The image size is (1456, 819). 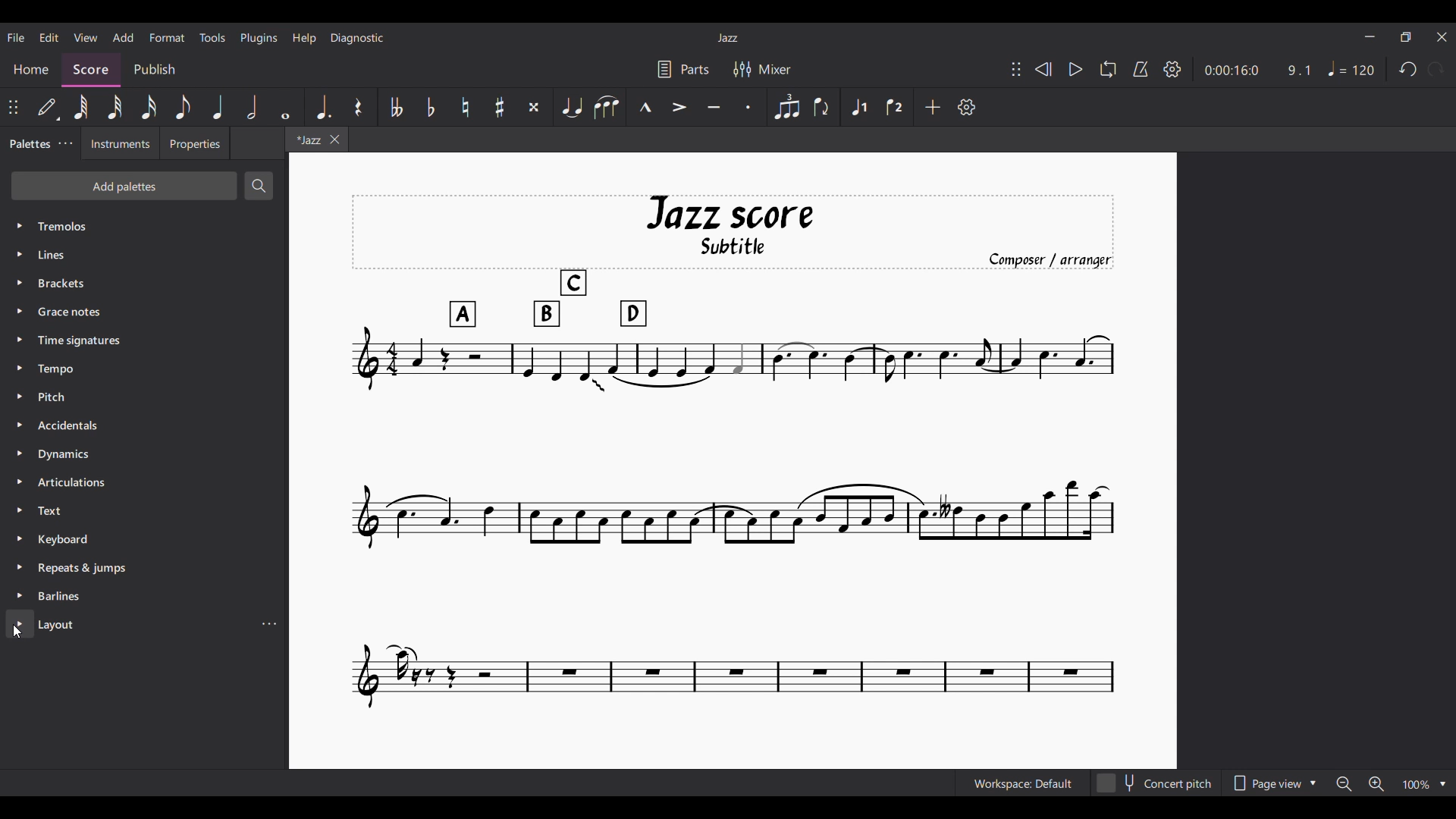 What do you see at coordinates (357, 38) in the screenshot?
I see `Diagnostic menu` at bounding box center [357, 38].